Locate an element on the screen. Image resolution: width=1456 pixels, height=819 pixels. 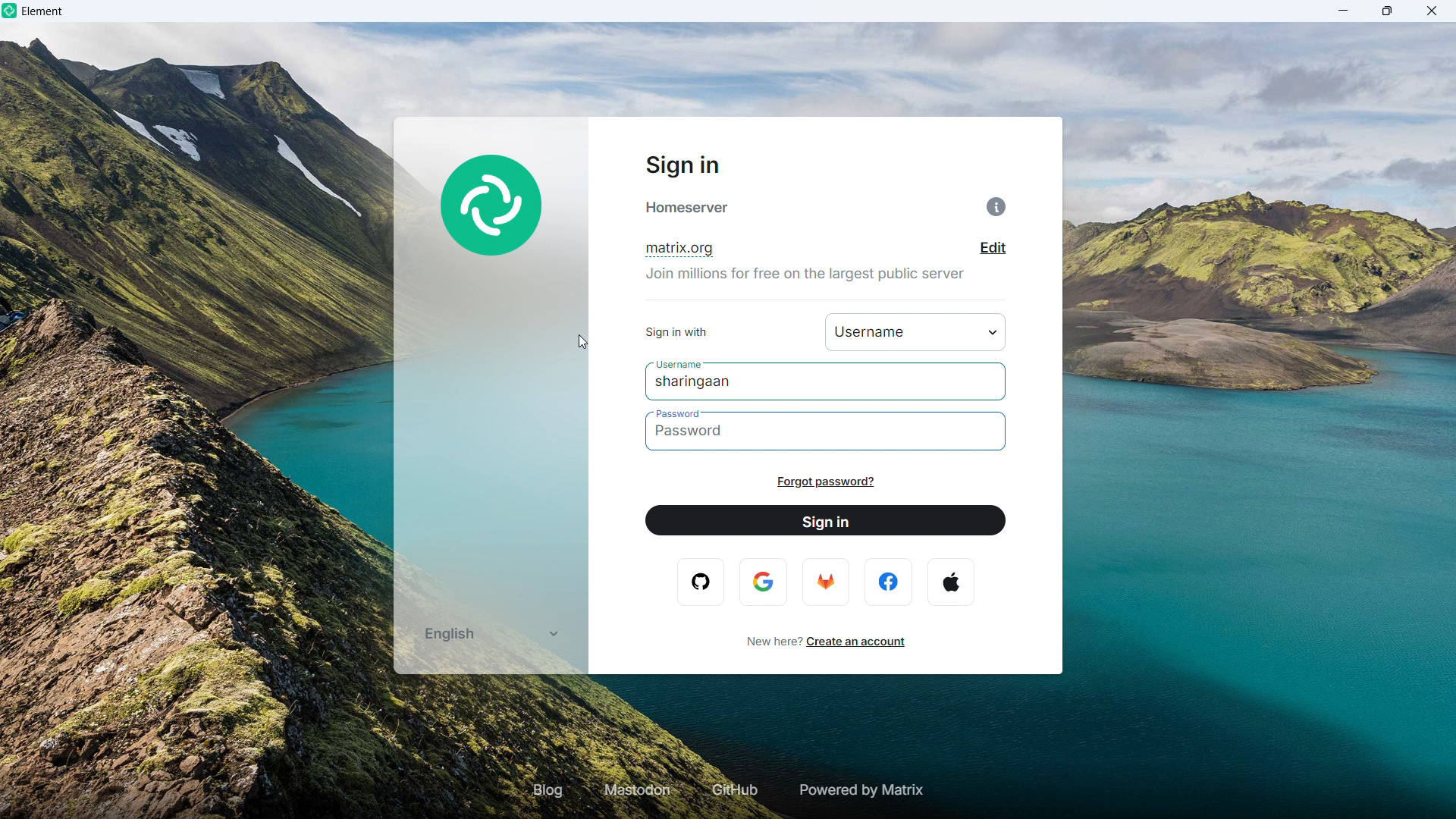
firefox is located at coordinates (824, 581).